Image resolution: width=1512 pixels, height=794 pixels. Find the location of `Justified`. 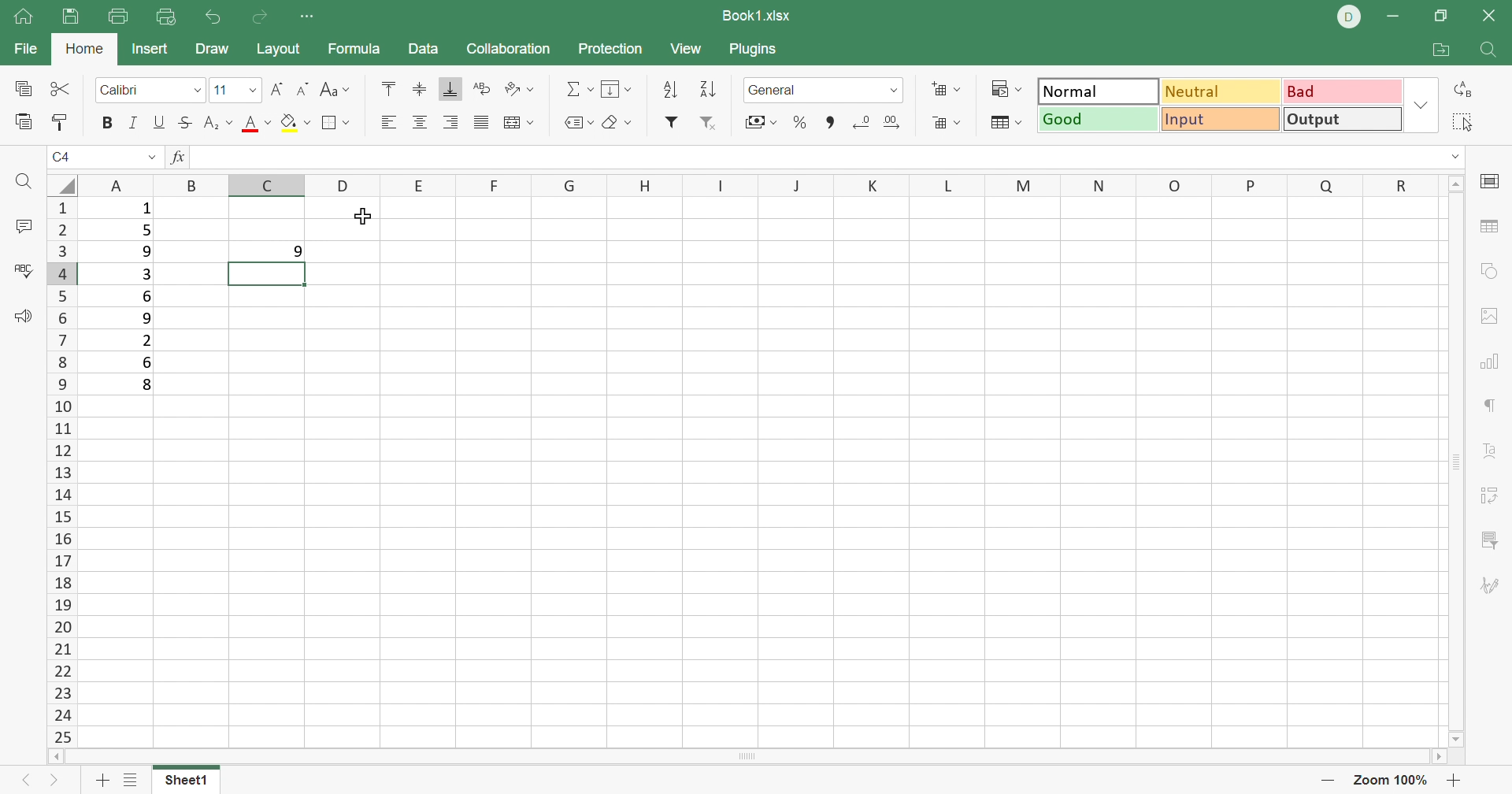

Justified is located at coordinates (480, 123).